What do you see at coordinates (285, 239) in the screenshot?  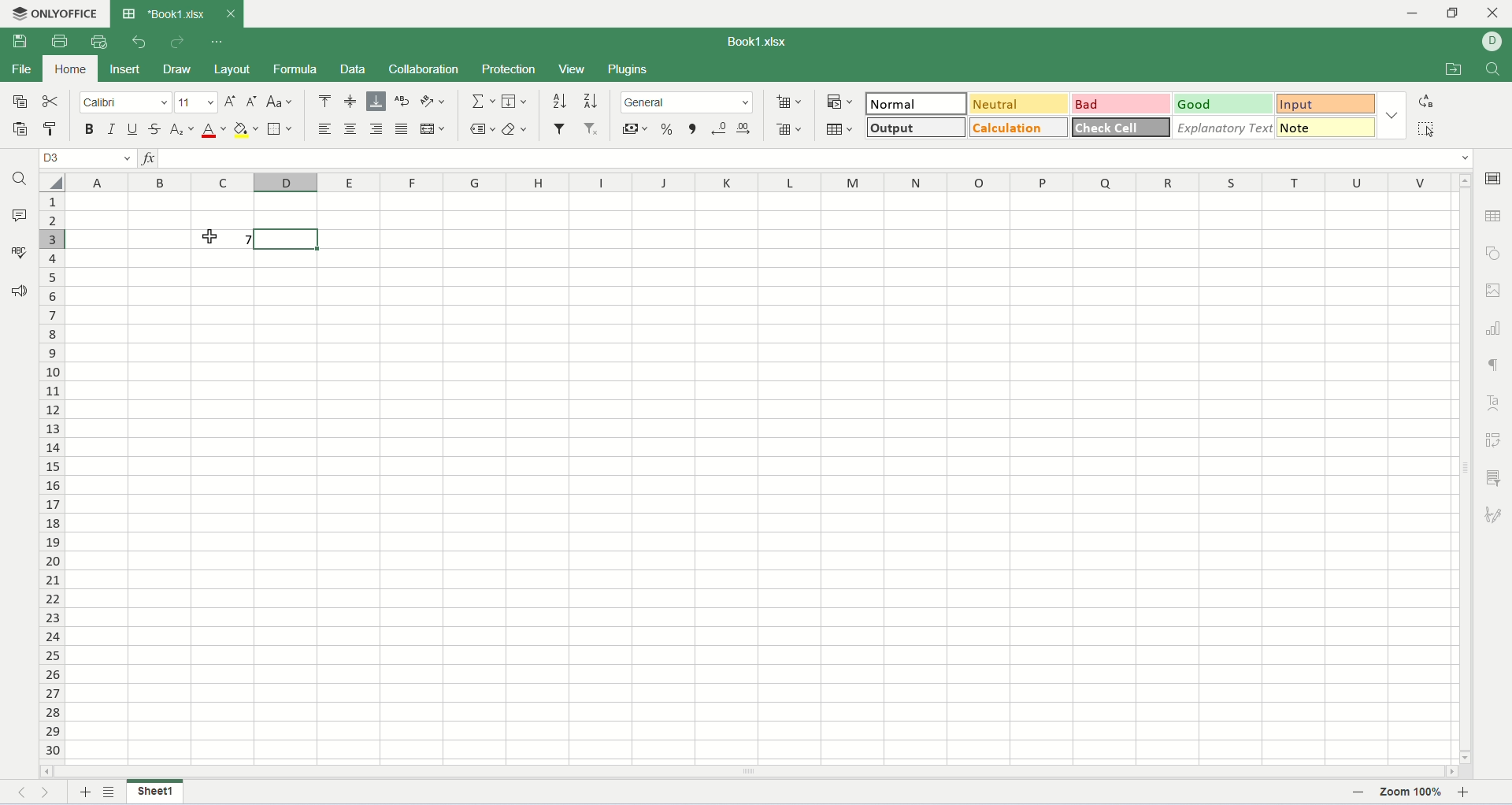 I see `active cell` at bounding box center [285, 239].